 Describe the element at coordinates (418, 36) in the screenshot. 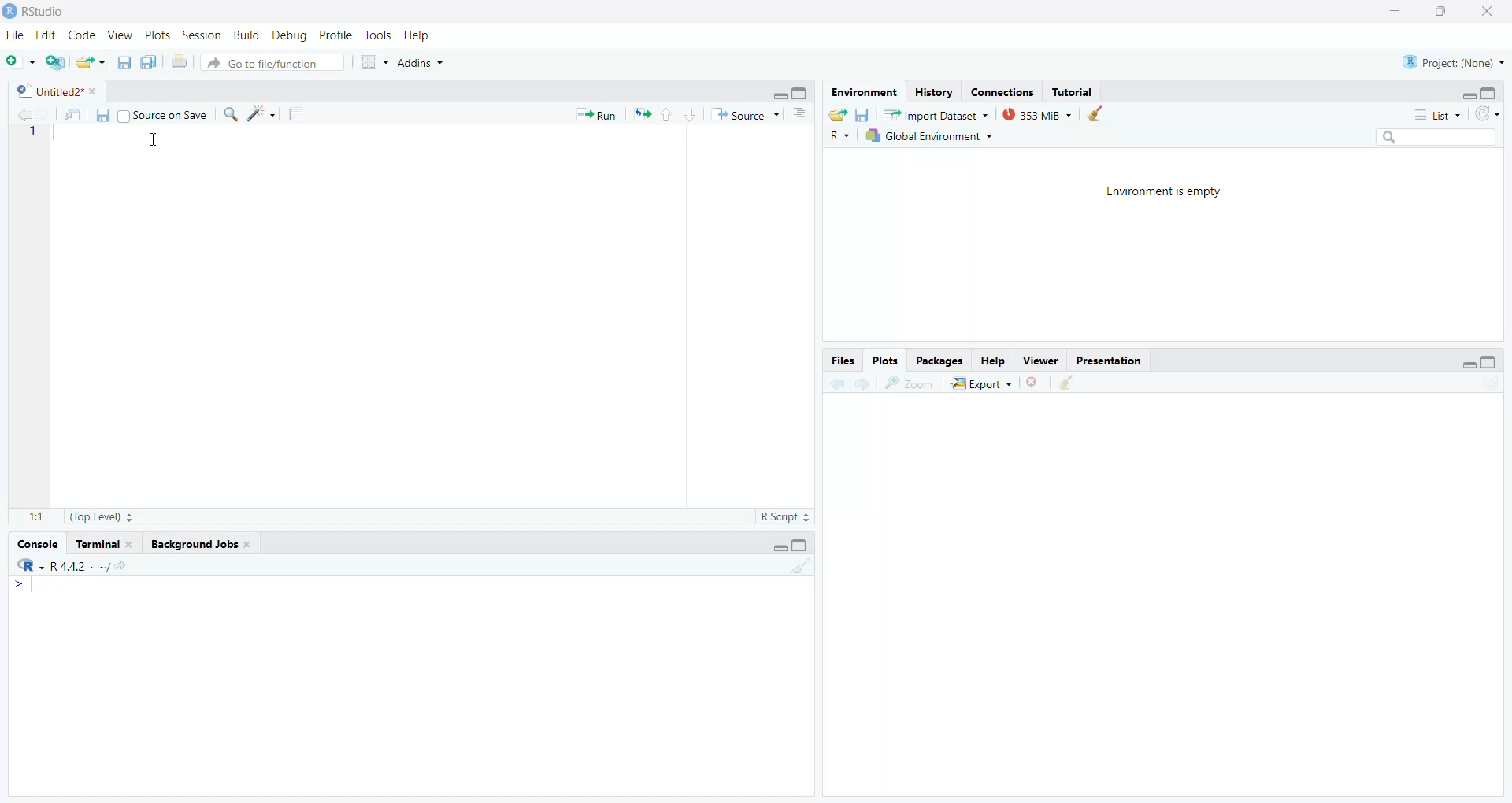

I see `Help` at that location.